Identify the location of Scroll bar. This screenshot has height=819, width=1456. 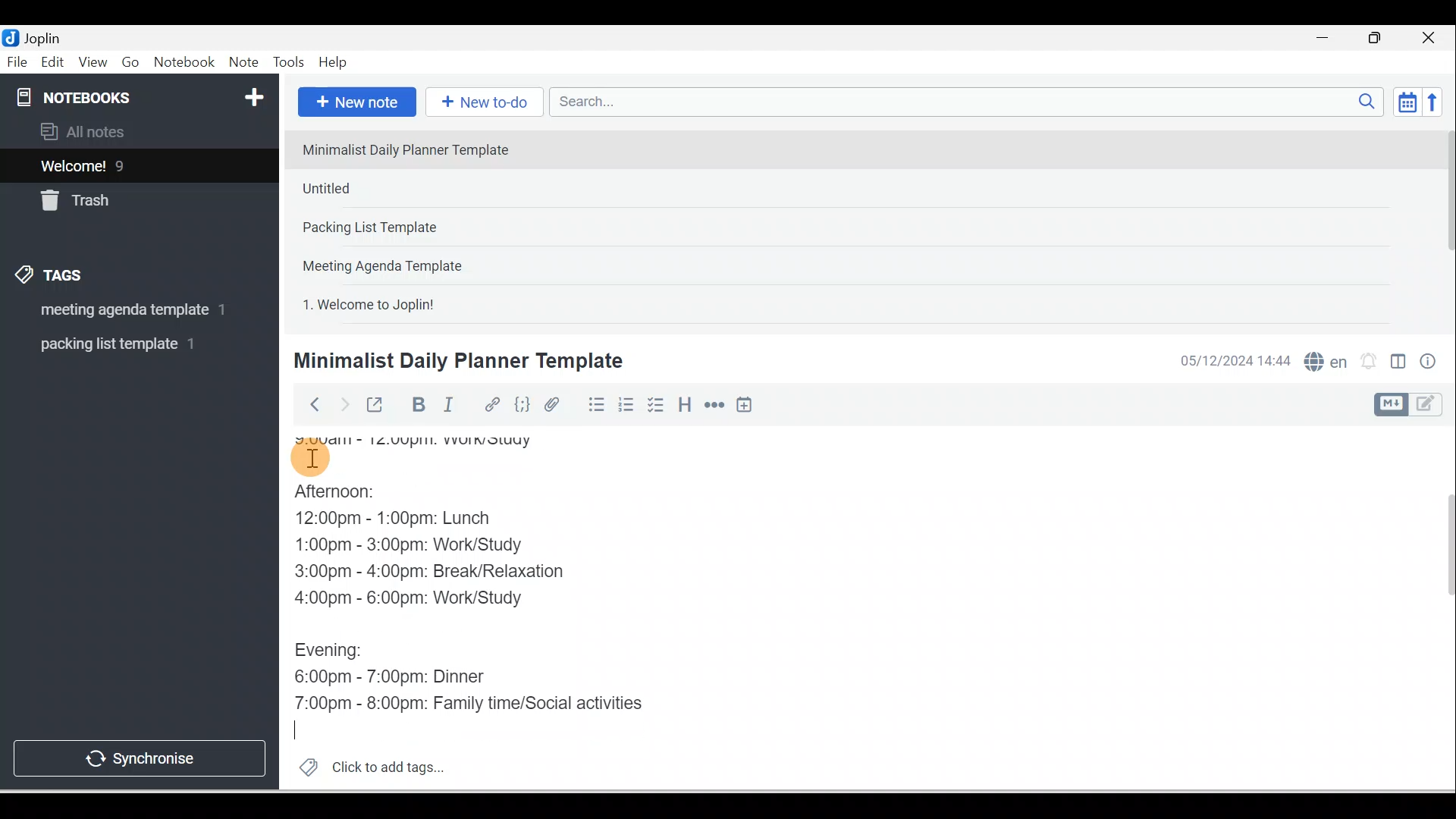
(1444, 224).